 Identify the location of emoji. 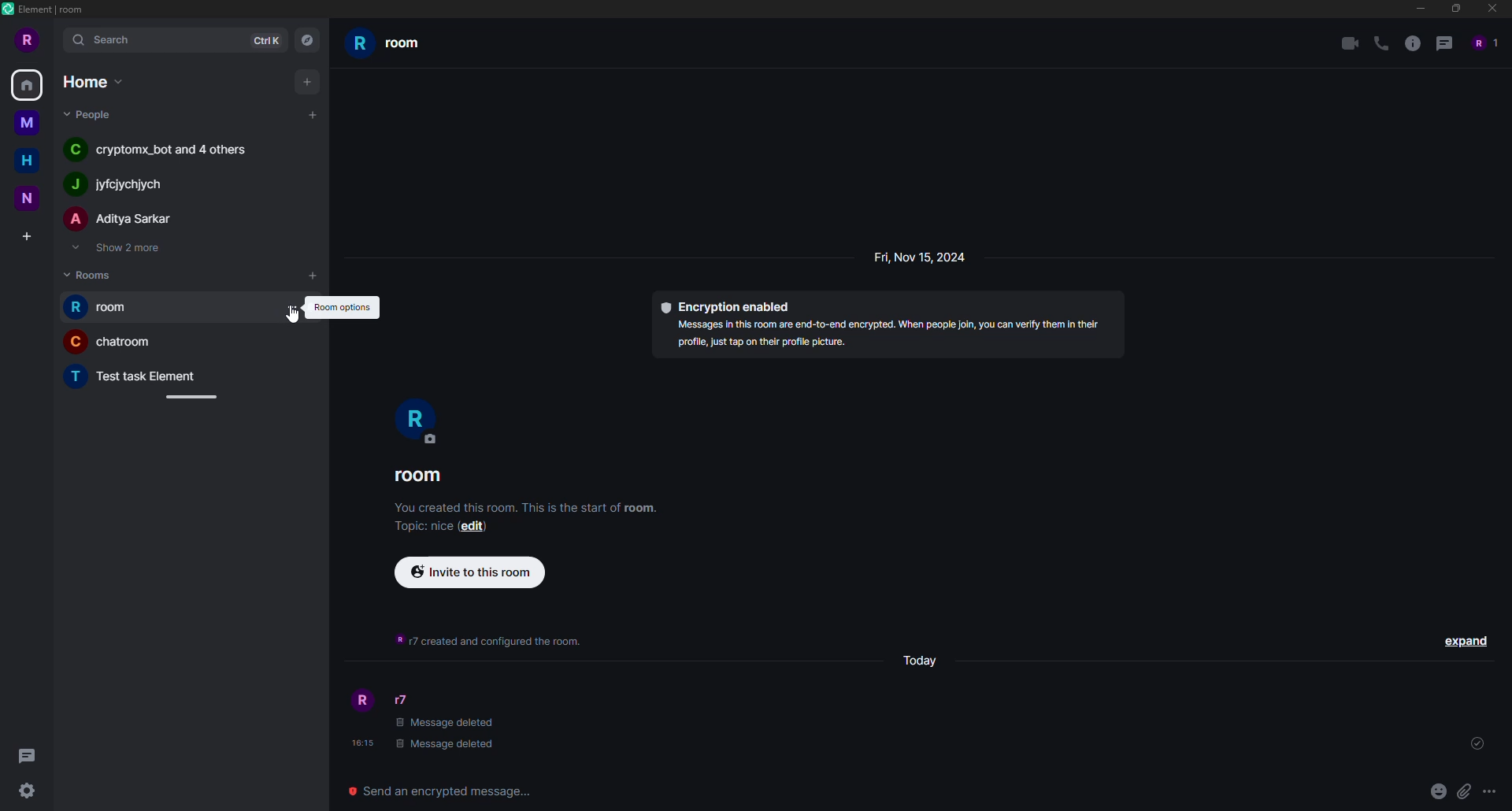
(1437, 791).